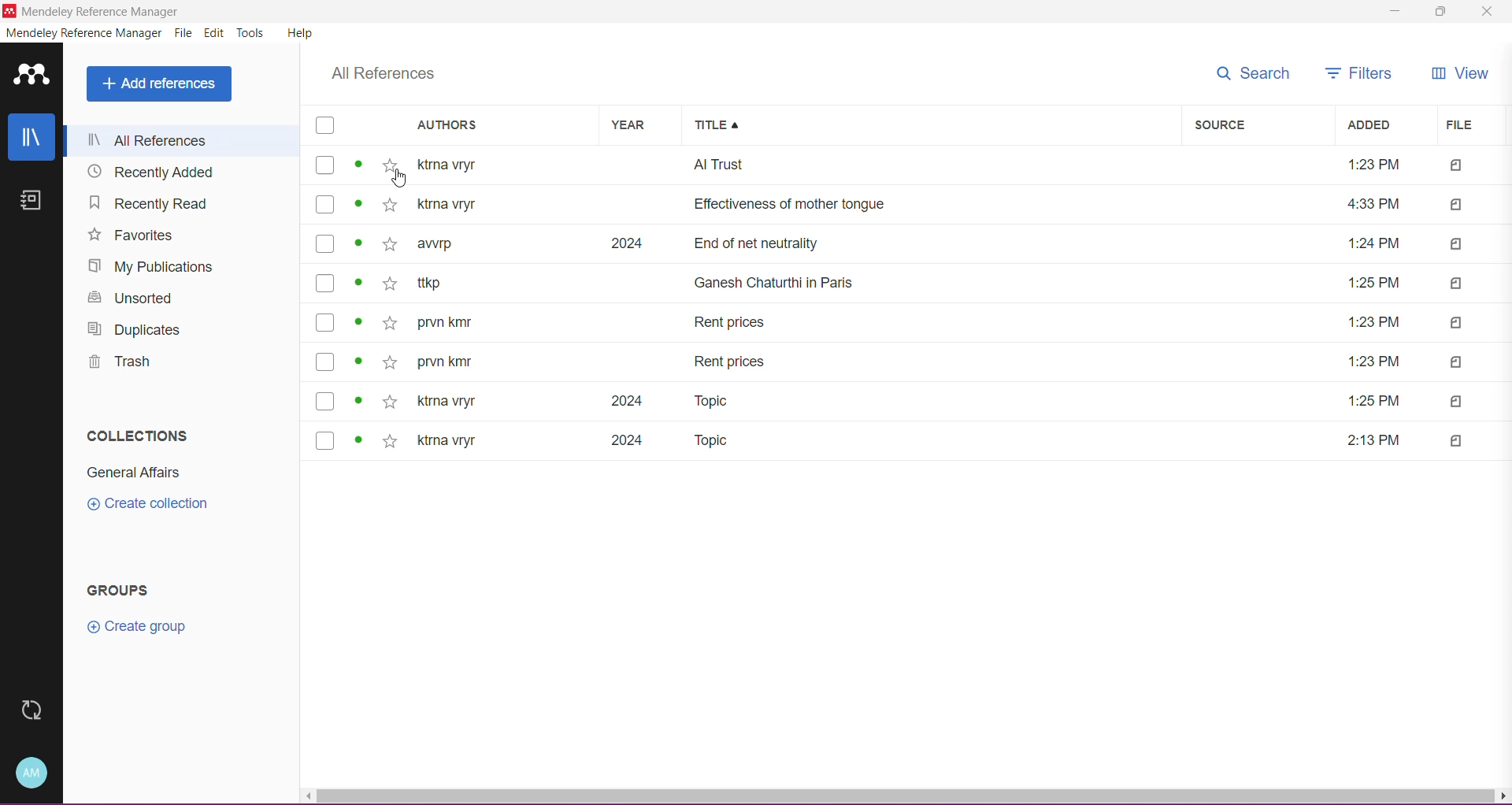 This screenshot has width=1512, height=805. I want to click on Indicates file type, so click(1457, 402).